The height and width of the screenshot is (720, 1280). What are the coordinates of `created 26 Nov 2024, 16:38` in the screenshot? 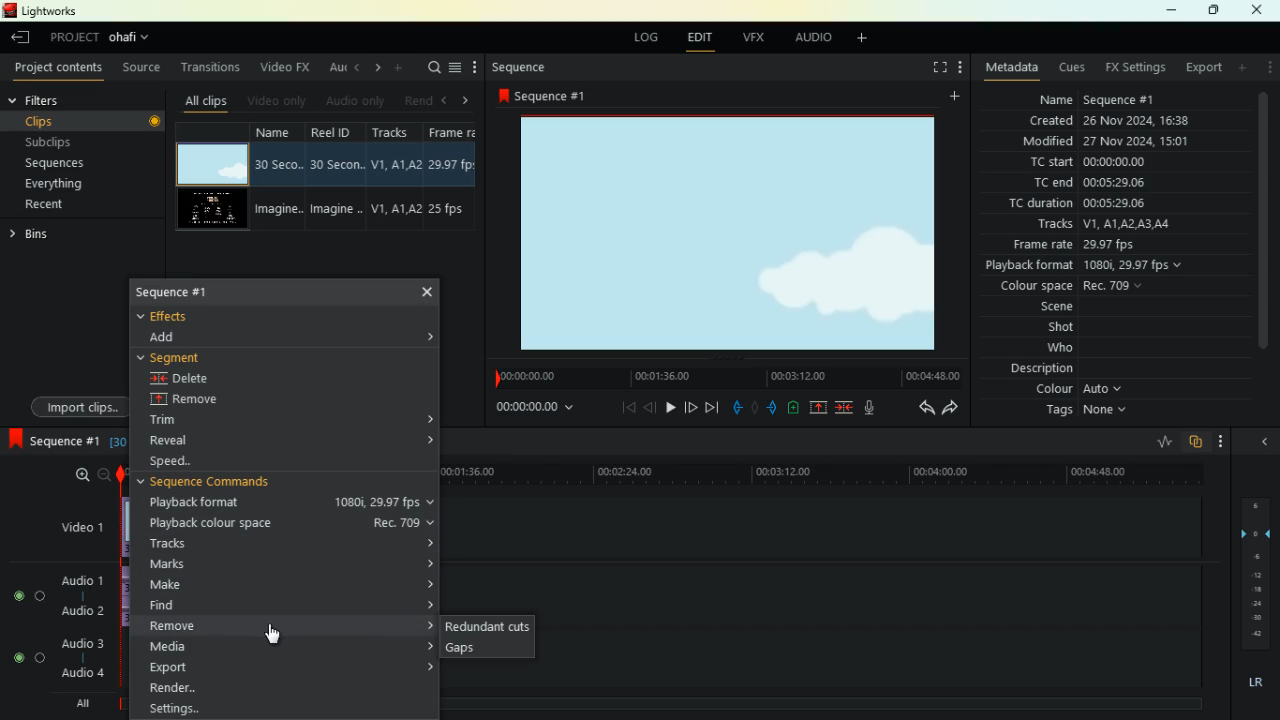 It's located at (1118, 119).